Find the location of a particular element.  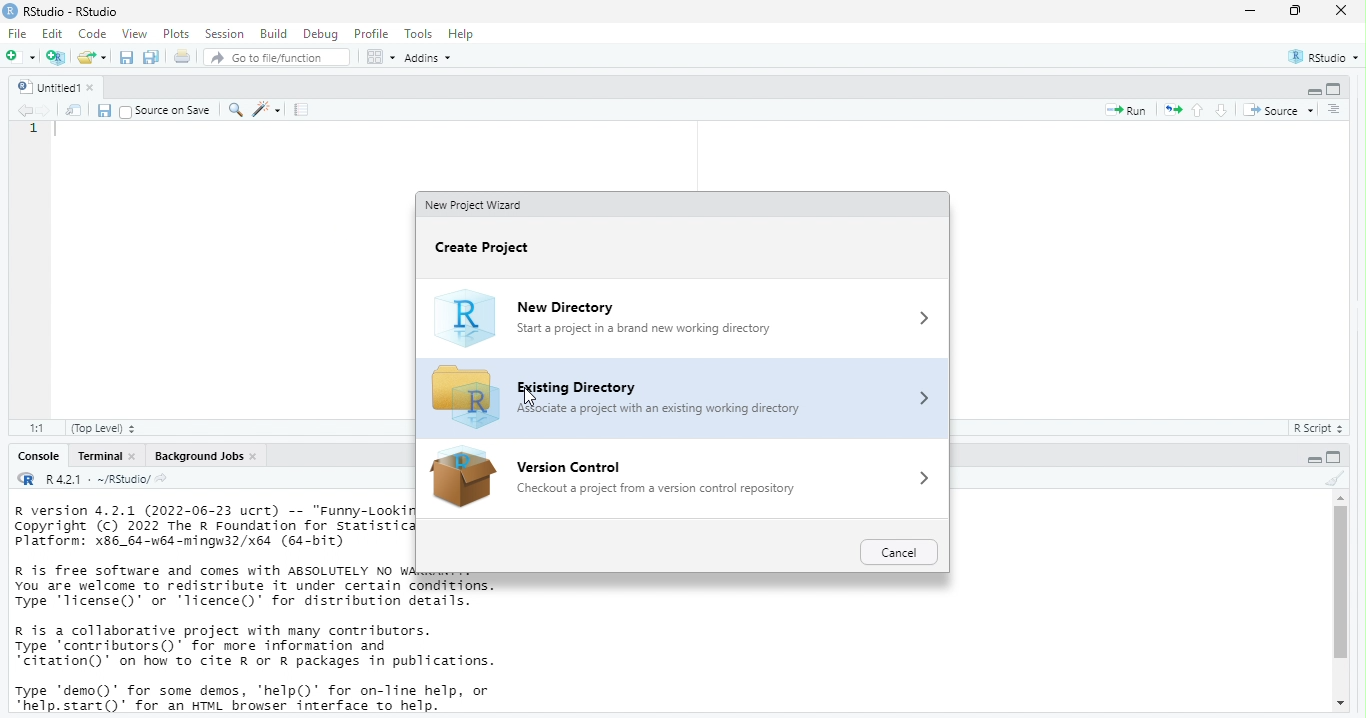

1:1 is located at coordinates (30, 426).